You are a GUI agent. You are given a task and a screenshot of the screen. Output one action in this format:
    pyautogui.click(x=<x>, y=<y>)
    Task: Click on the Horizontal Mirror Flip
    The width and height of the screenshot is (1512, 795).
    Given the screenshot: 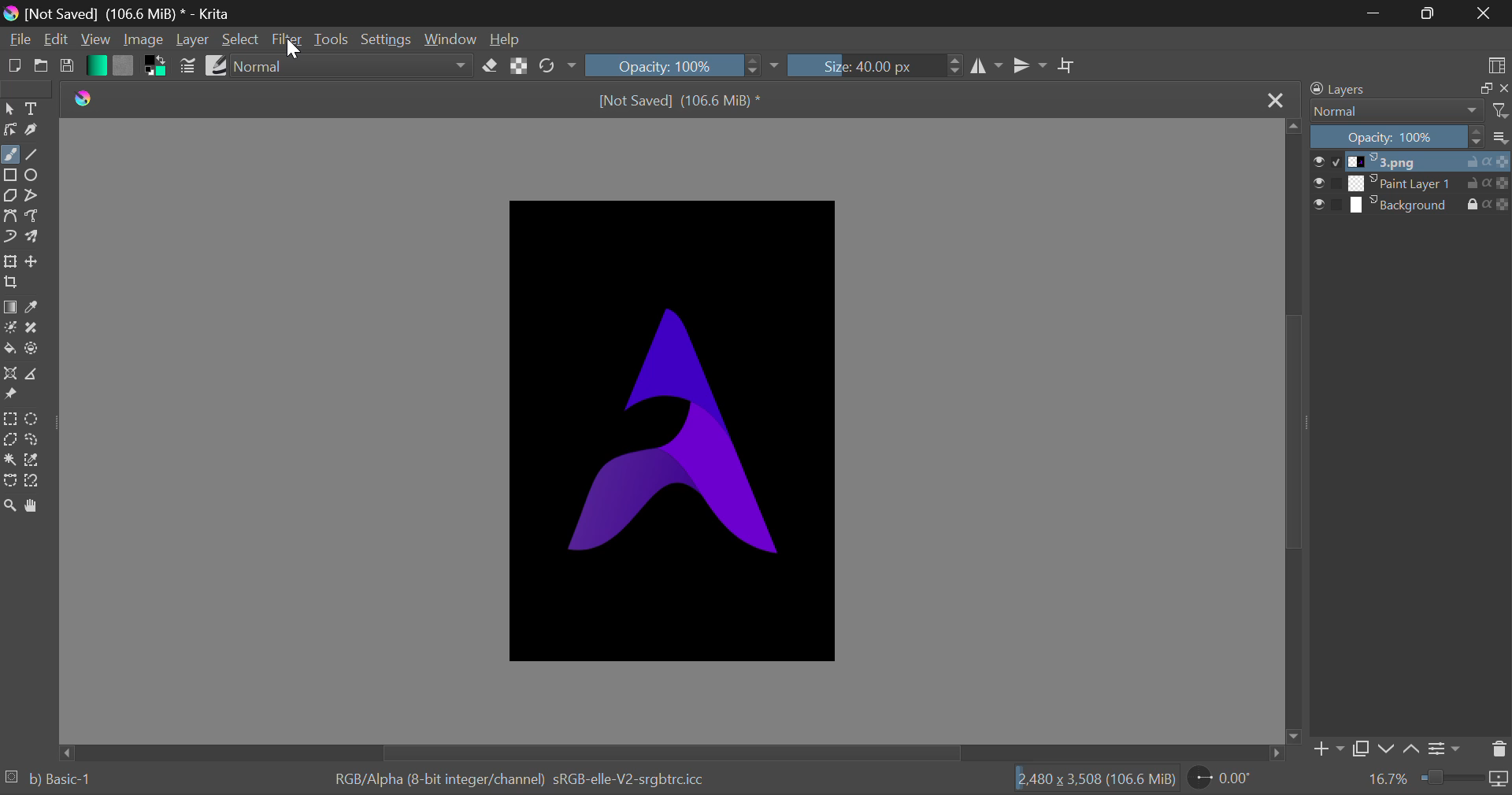 What is the action you would take?
    pyautogui.click(x=1030, y=65)
    